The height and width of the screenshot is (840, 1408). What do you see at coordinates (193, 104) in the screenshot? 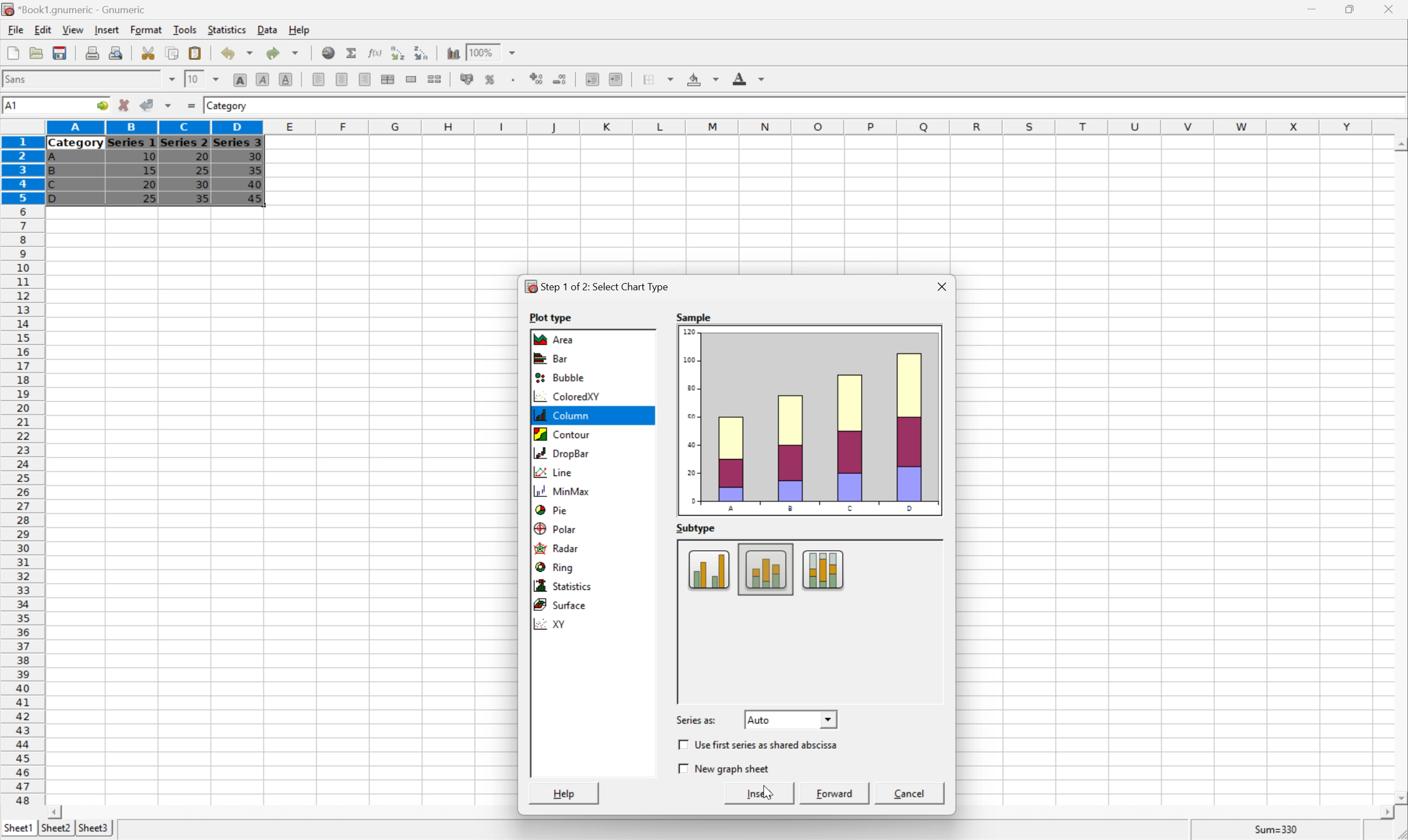
I see `Enter formula` at bounding box center [193, 104].